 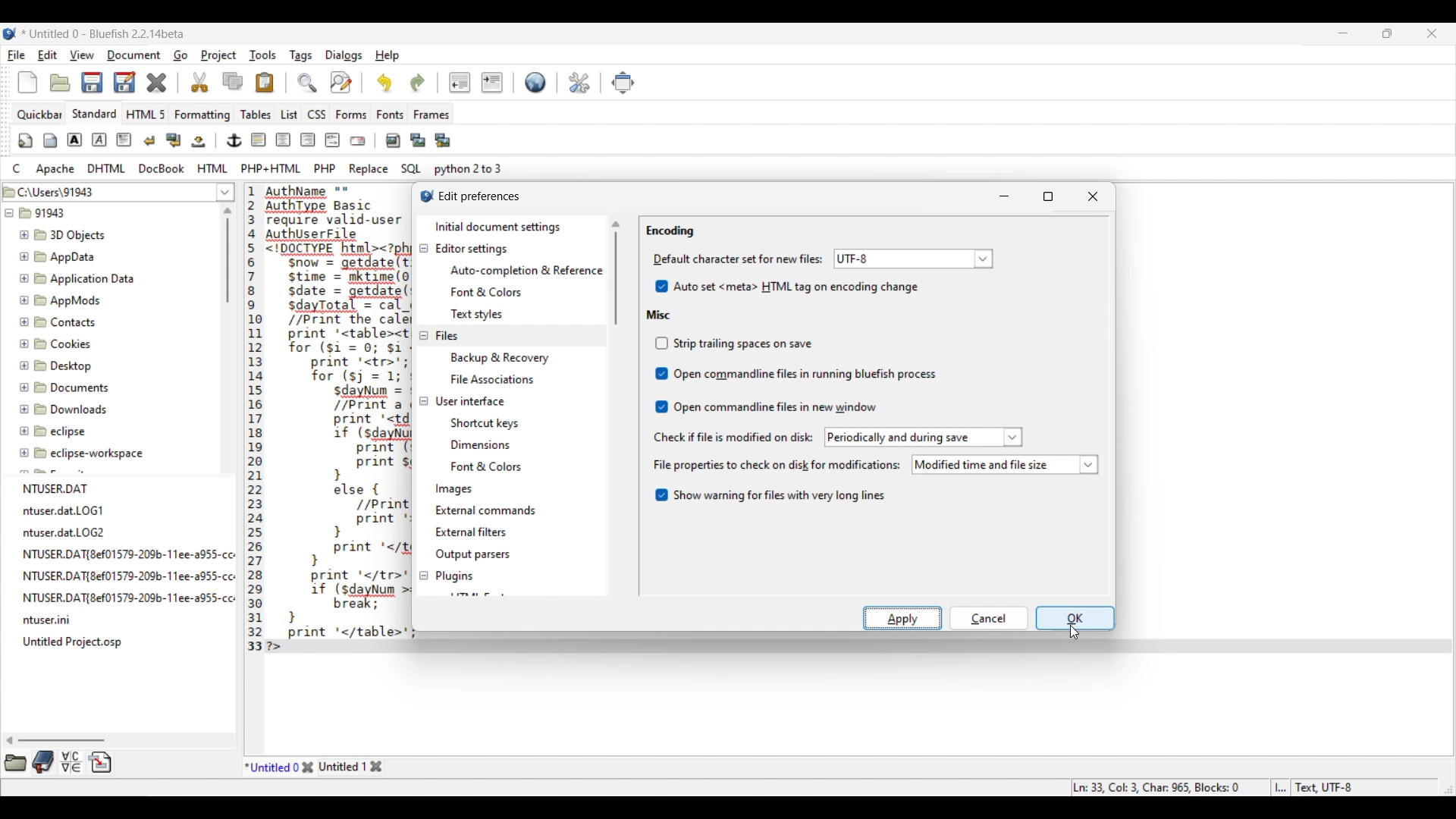 What do you see at coordinates (476, 82) in the screenshot?
I see `Indentation` at bounding box center [476, 82].